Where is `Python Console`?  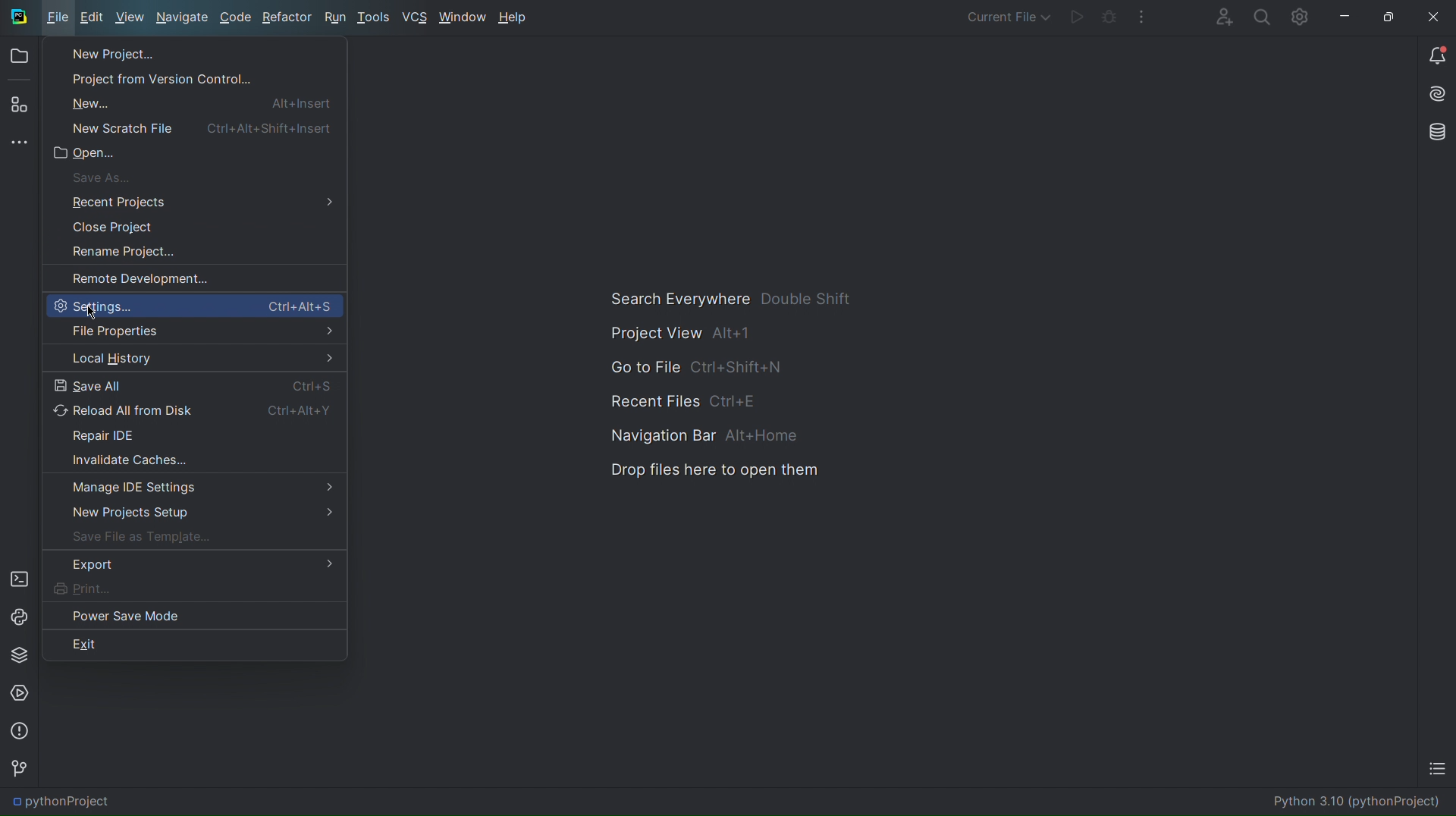
Python Console is located at coordinates (20, 615).